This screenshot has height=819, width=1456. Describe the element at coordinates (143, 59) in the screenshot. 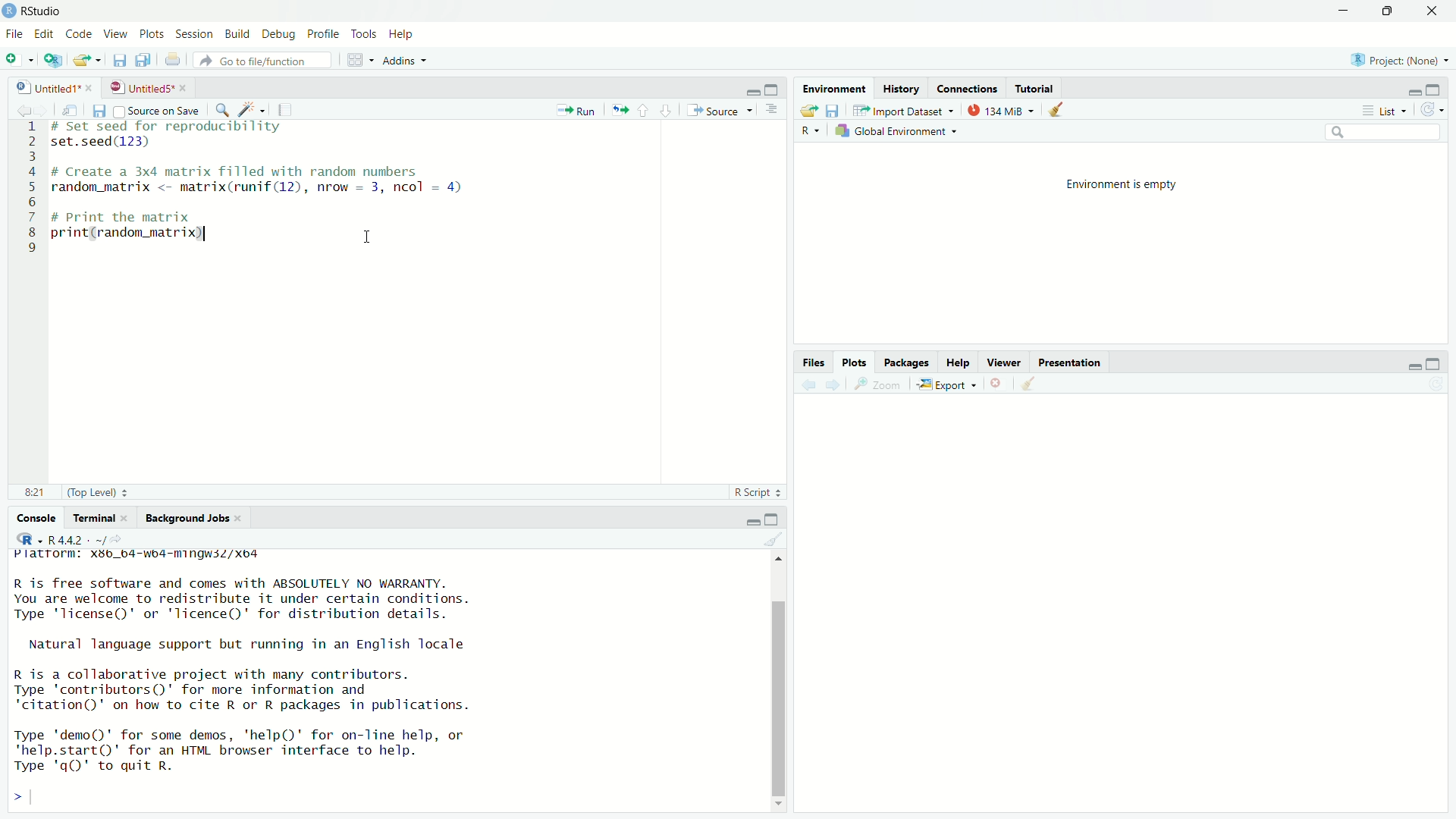

I see `copy` at that location.